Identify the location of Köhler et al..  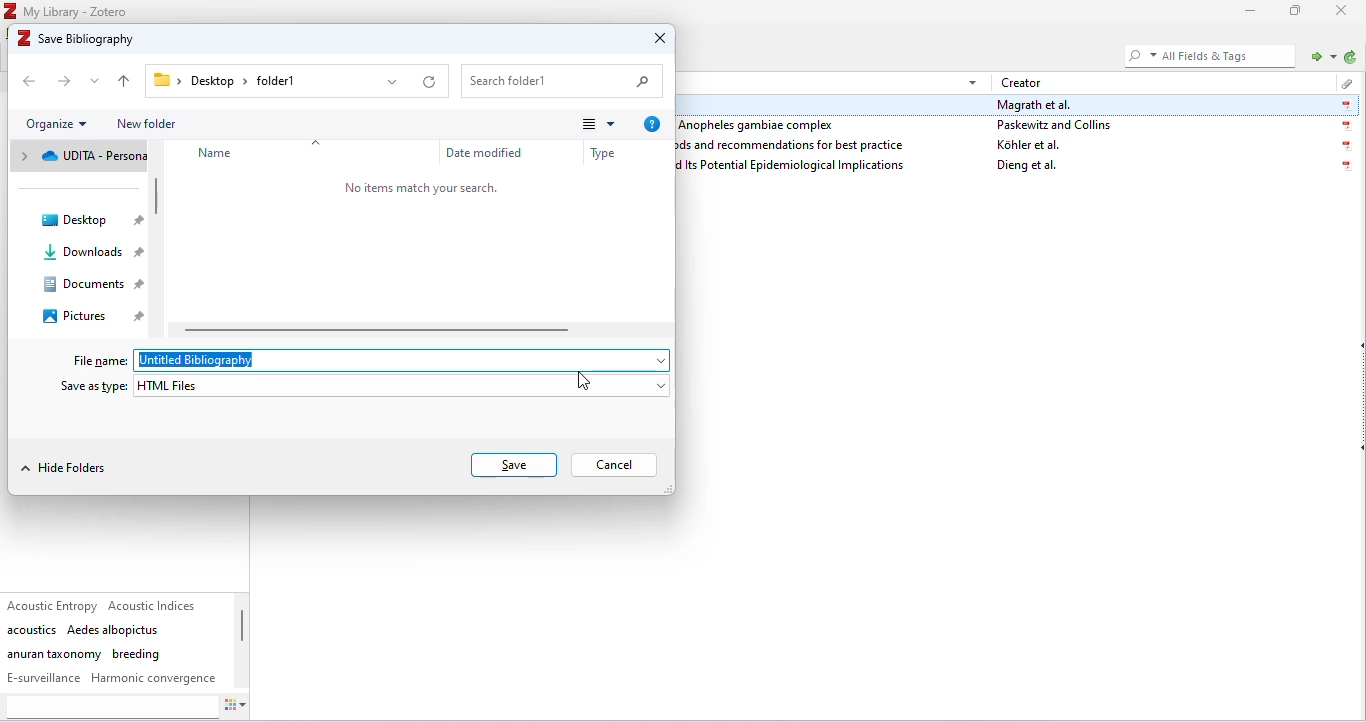
(1030, 145).